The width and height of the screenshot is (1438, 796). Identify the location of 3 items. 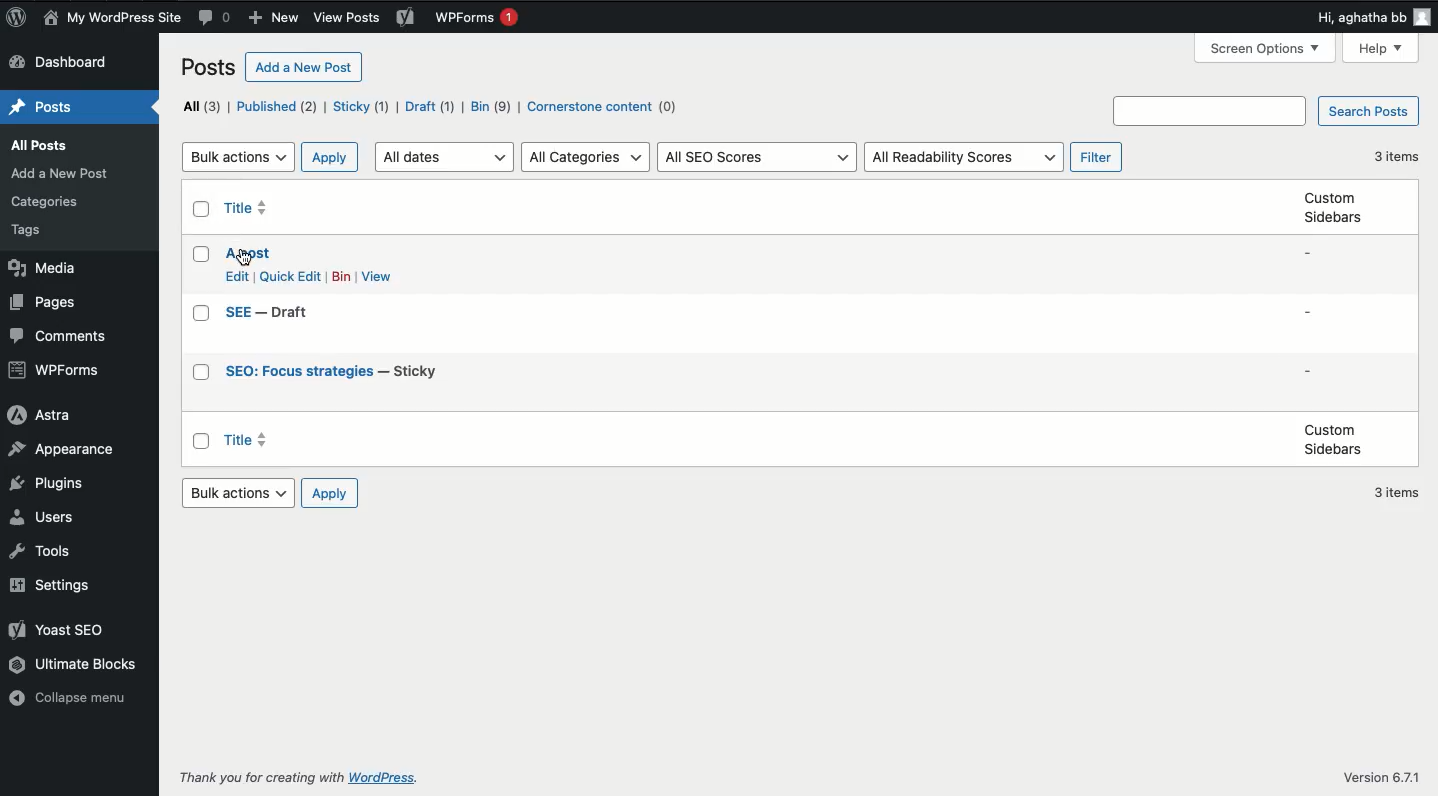
(1402, 159).